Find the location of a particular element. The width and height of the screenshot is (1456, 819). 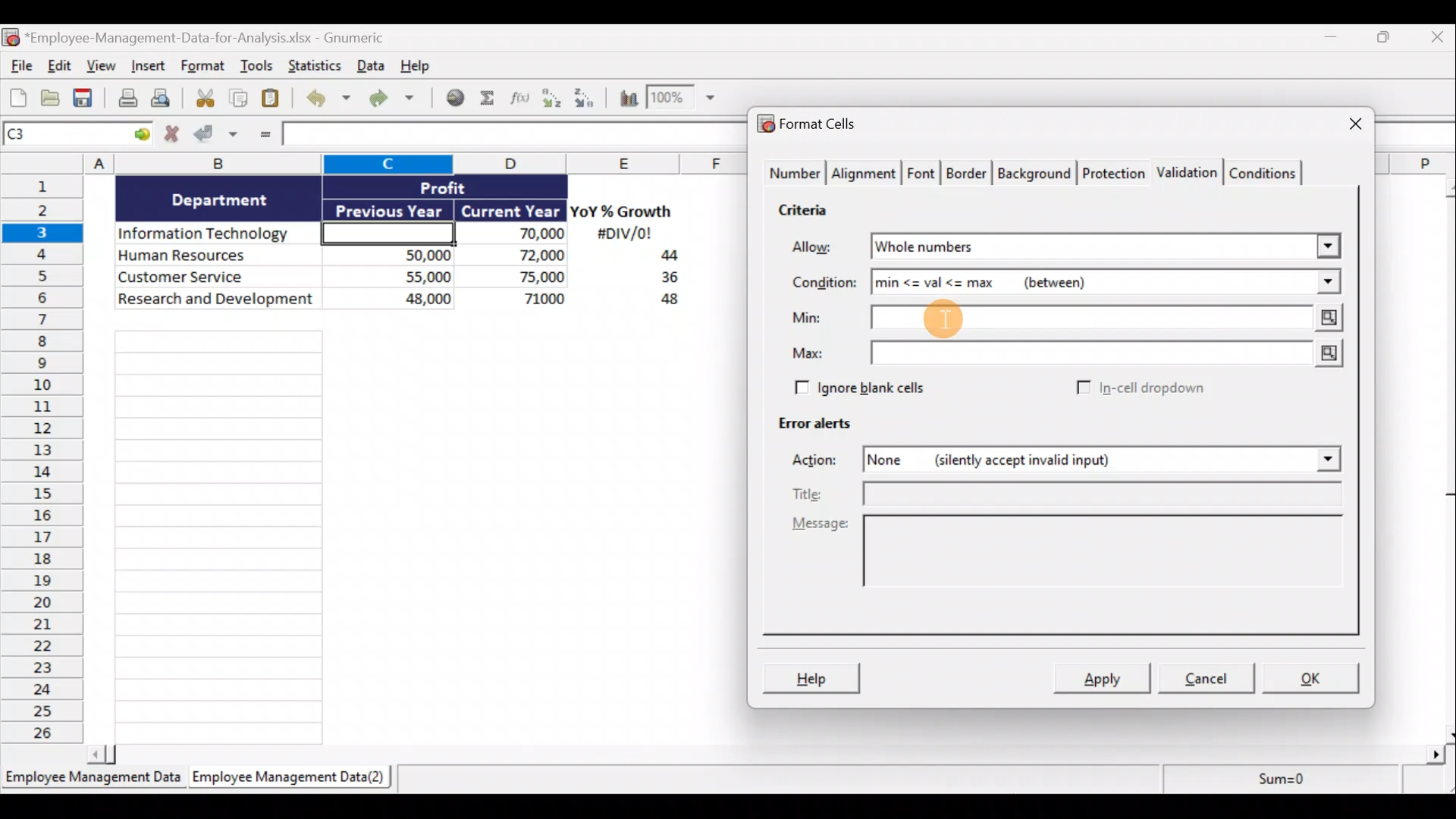

Formula bar is located at coordinates (510, 136).